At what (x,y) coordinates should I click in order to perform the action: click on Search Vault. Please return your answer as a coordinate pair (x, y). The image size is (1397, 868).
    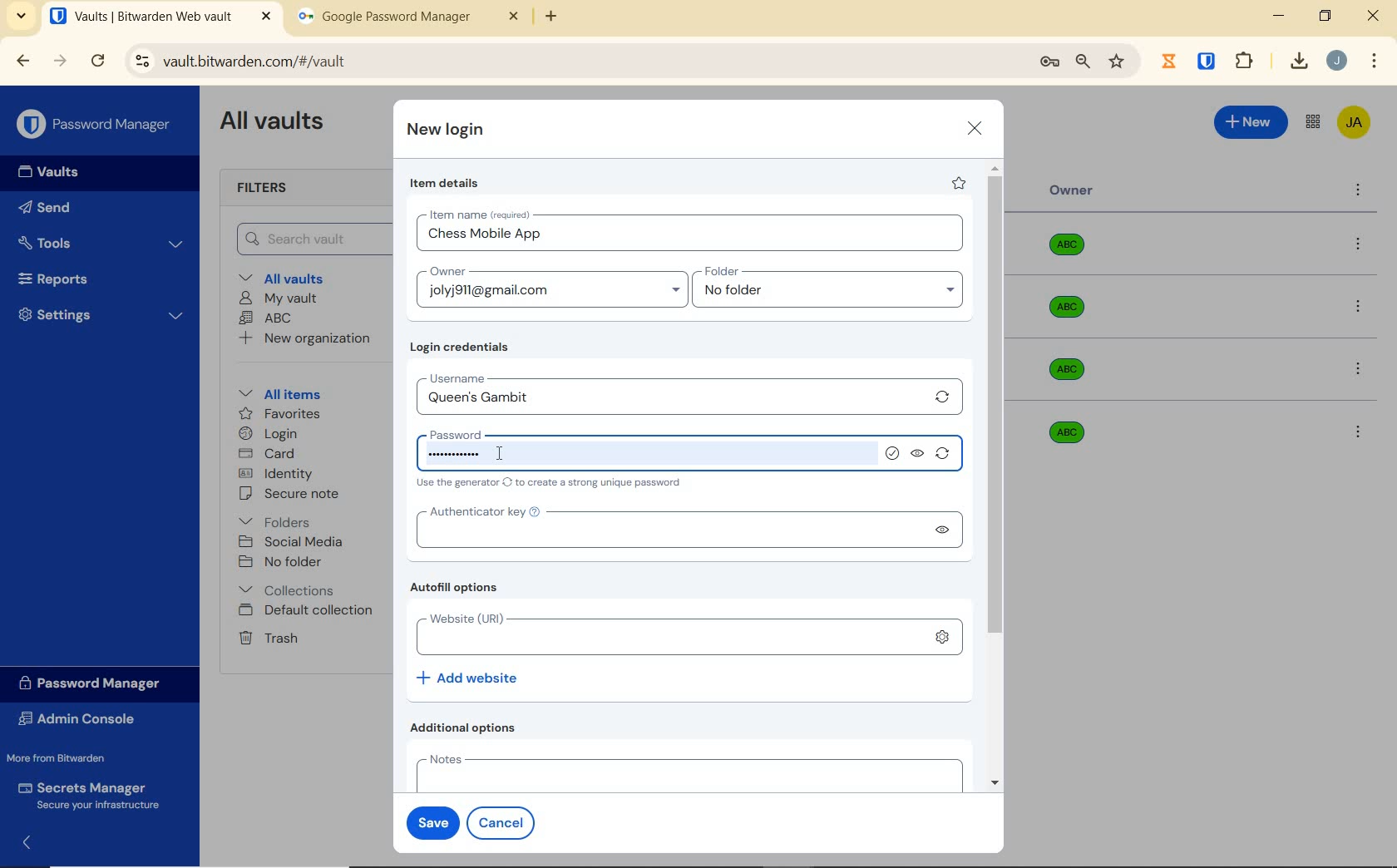
    Looking at the image, I should click on (309, 239).